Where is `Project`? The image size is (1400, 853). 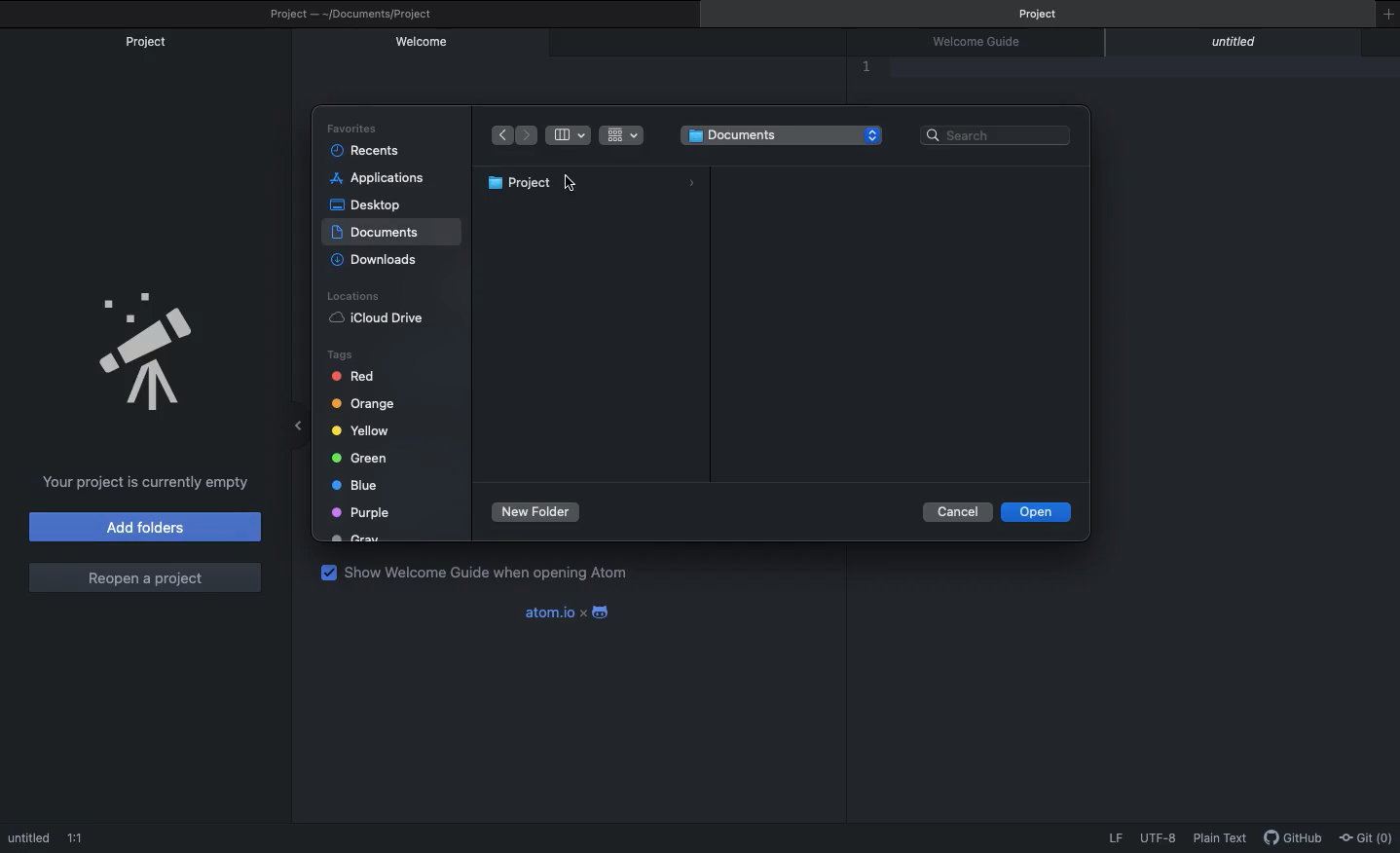 Project is located at coordinates (520, 185).